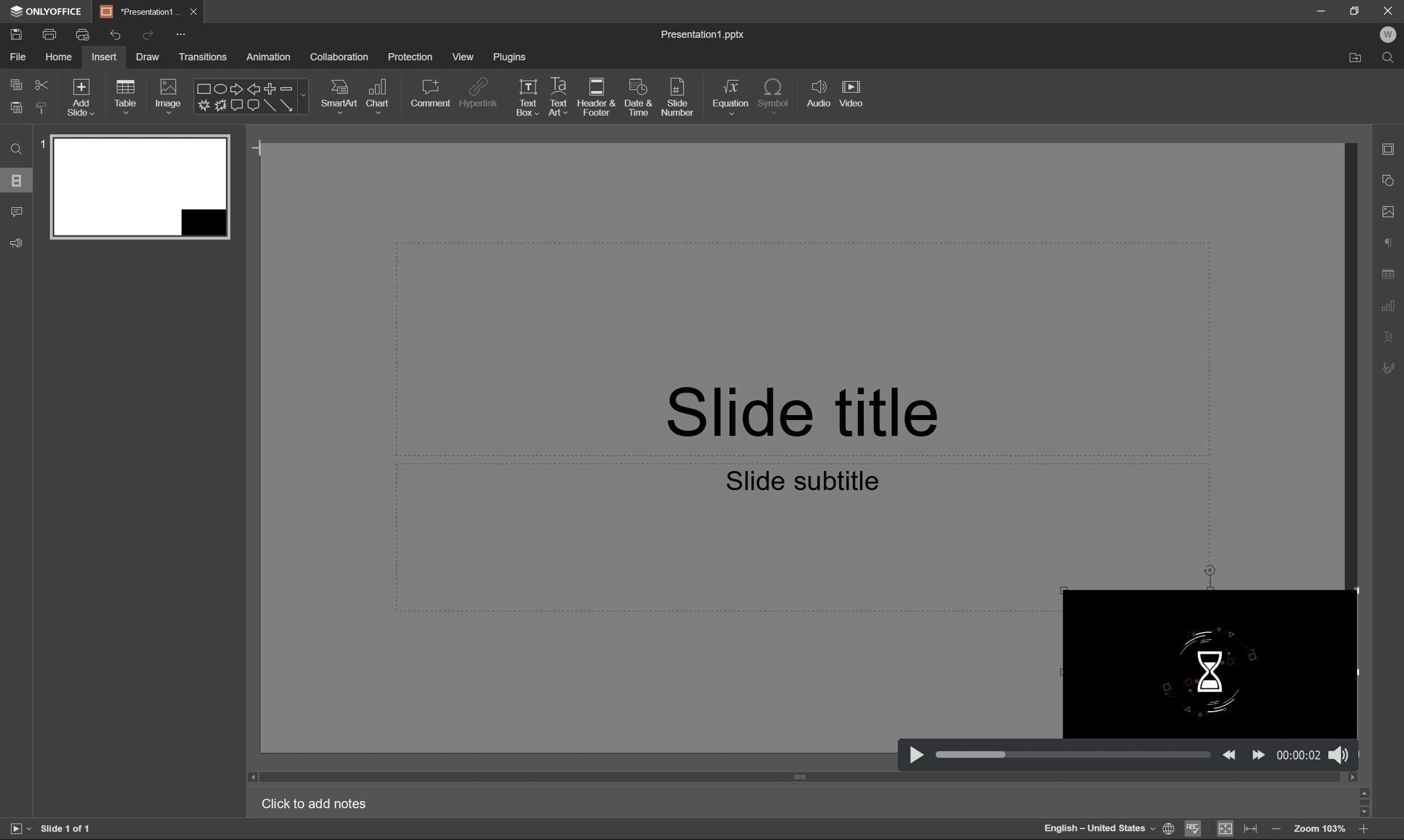 The height and width of the screenshot is (840, 1404). I want to click on slide number, so click(681, 99).